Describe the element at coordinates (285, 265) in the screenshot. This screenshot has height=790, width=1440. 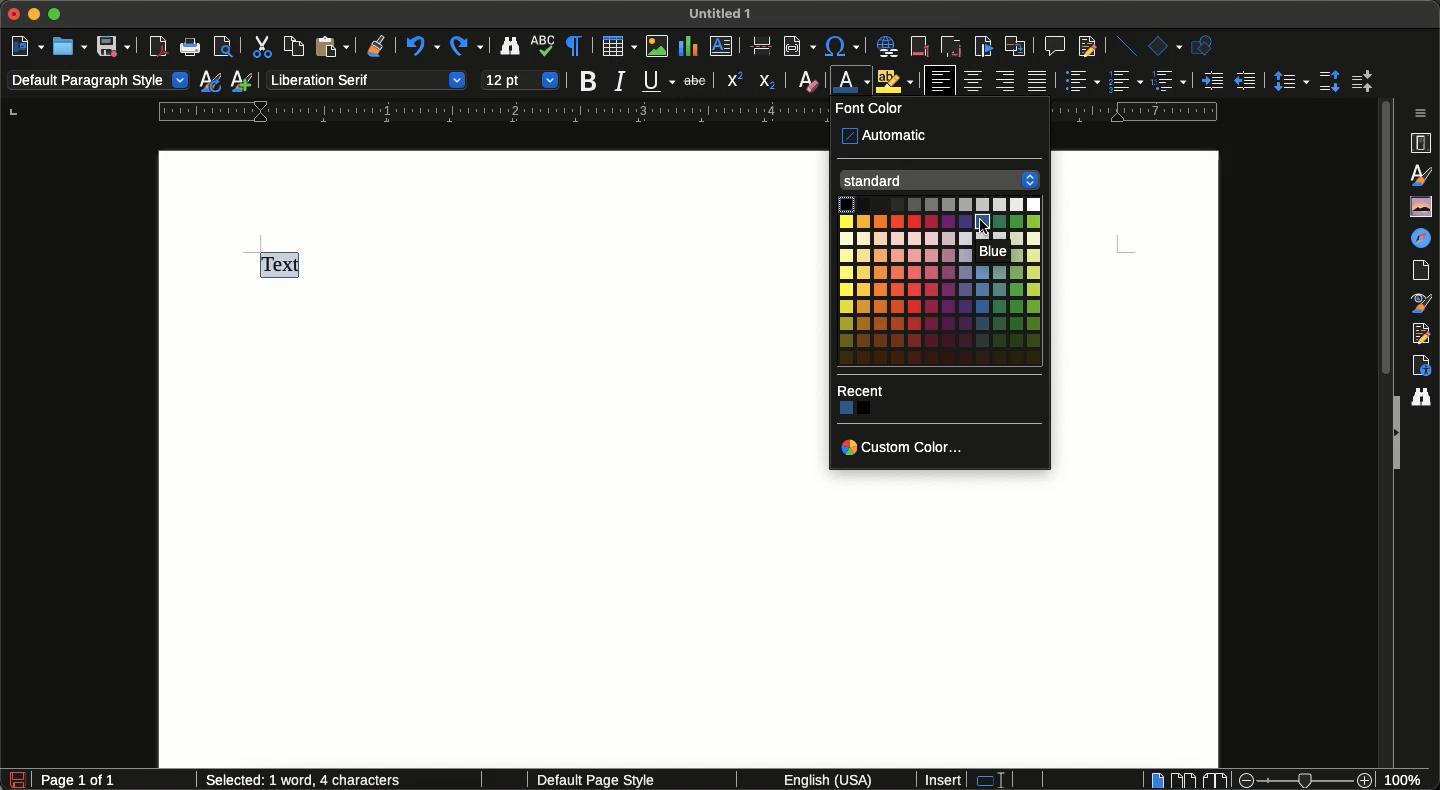
I see `Text` at that location.